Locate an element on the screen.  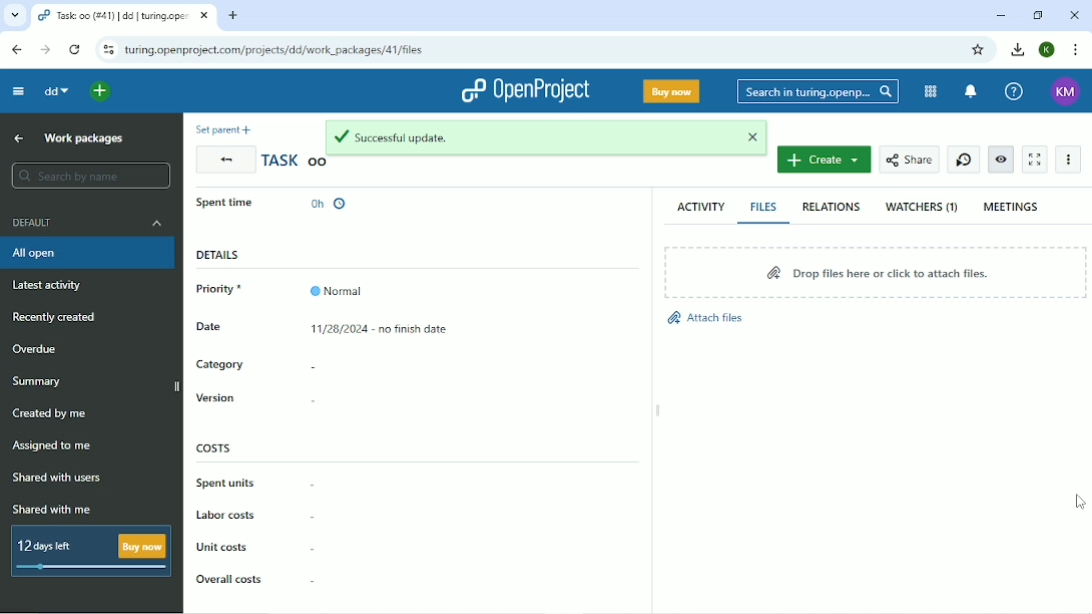
- is located at coordinates (314, 368).